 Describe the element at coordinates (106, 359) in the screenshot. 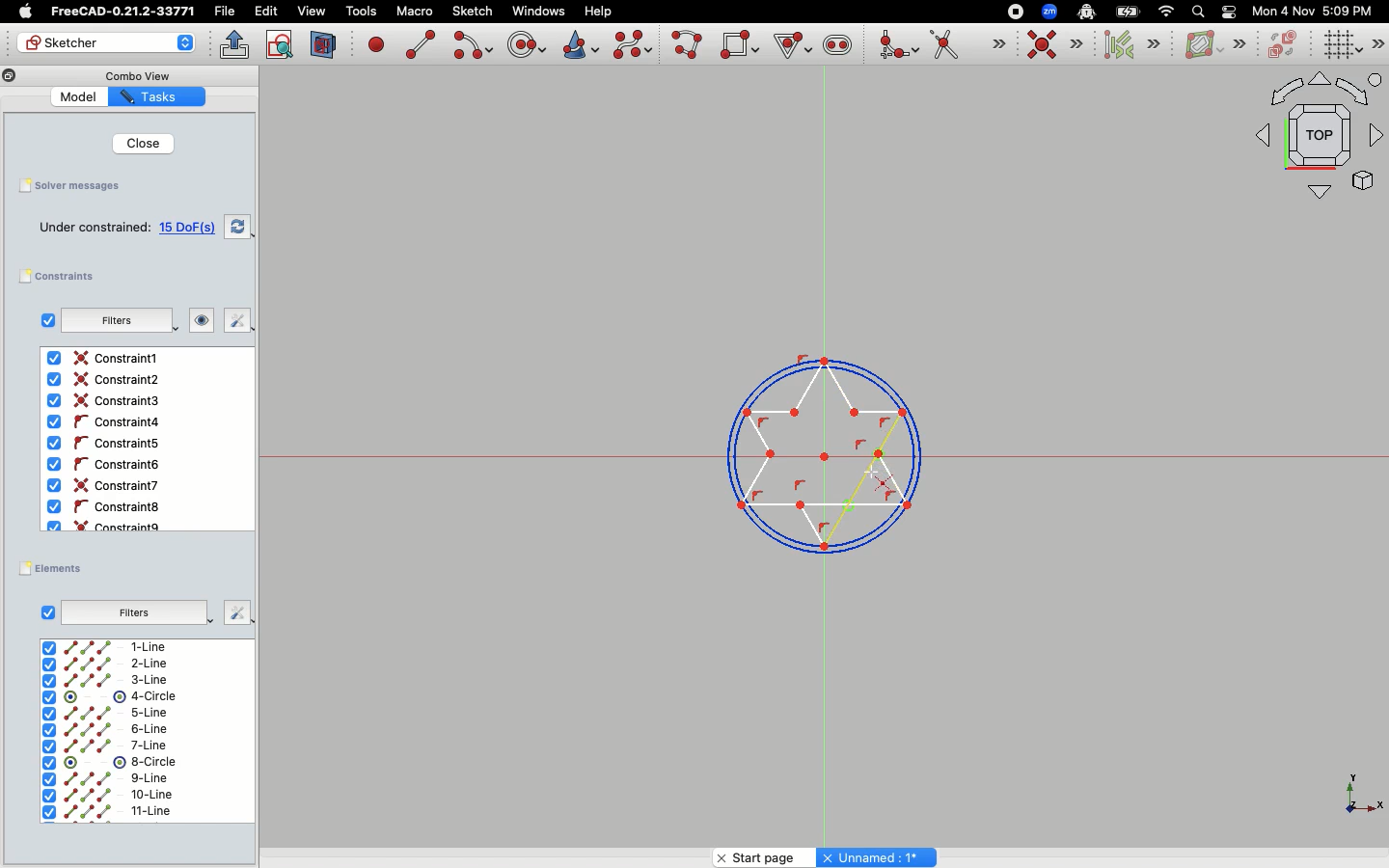

I see `Constraint1` at that location.